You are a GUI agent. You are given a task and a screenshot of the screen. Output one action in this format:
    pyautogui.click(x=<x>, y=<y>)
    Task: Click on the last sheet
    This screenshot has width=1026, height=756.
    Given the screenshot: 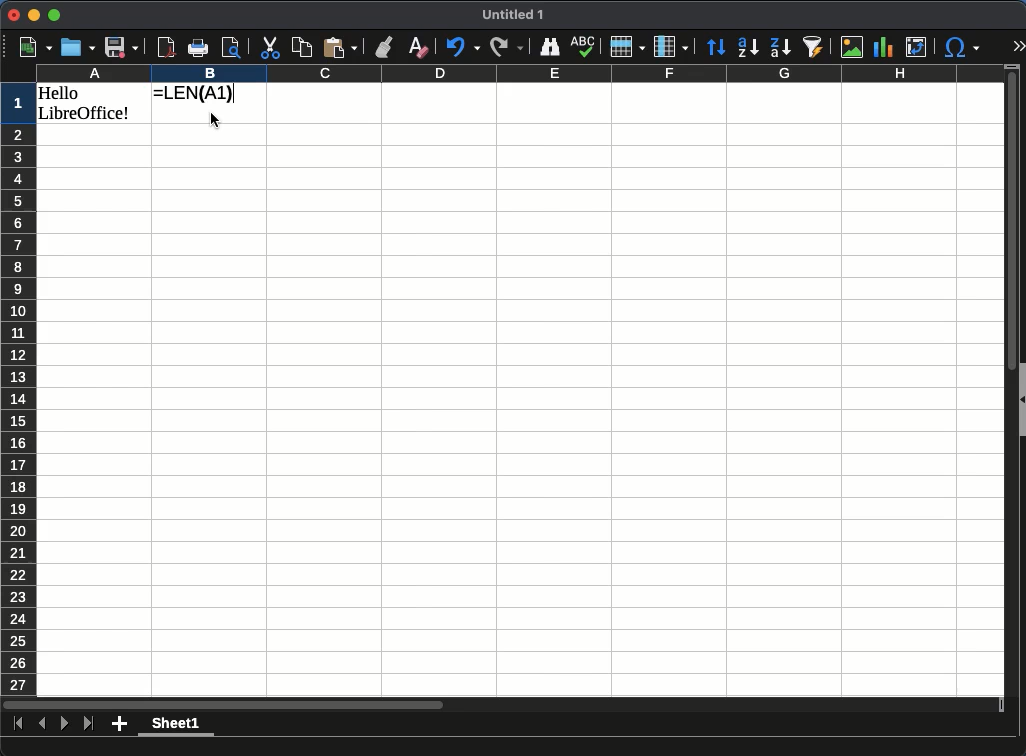 What is the action you would take?
    pyautogui.click(x=89, y=723)
    